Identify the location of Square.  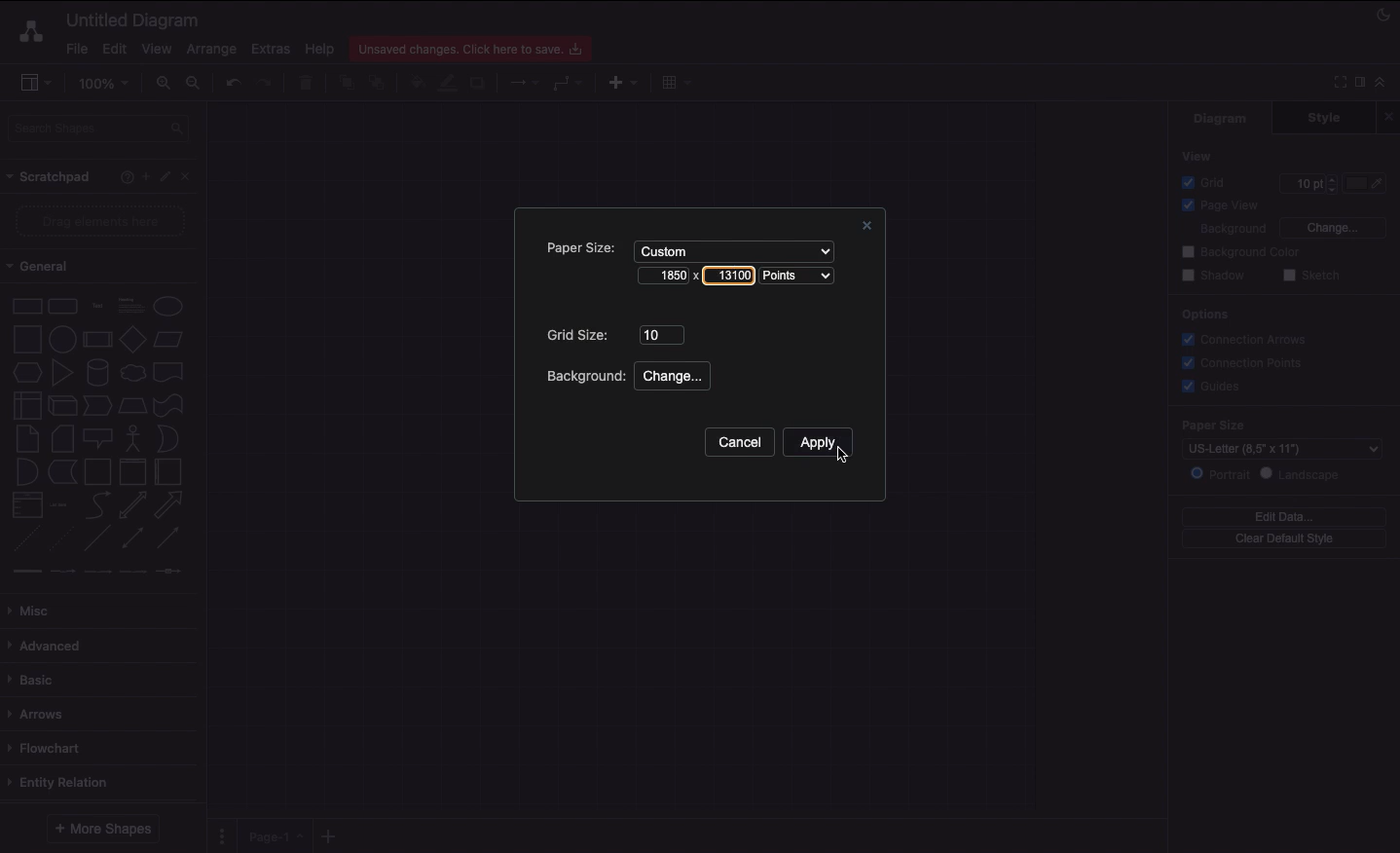
(25, 339).